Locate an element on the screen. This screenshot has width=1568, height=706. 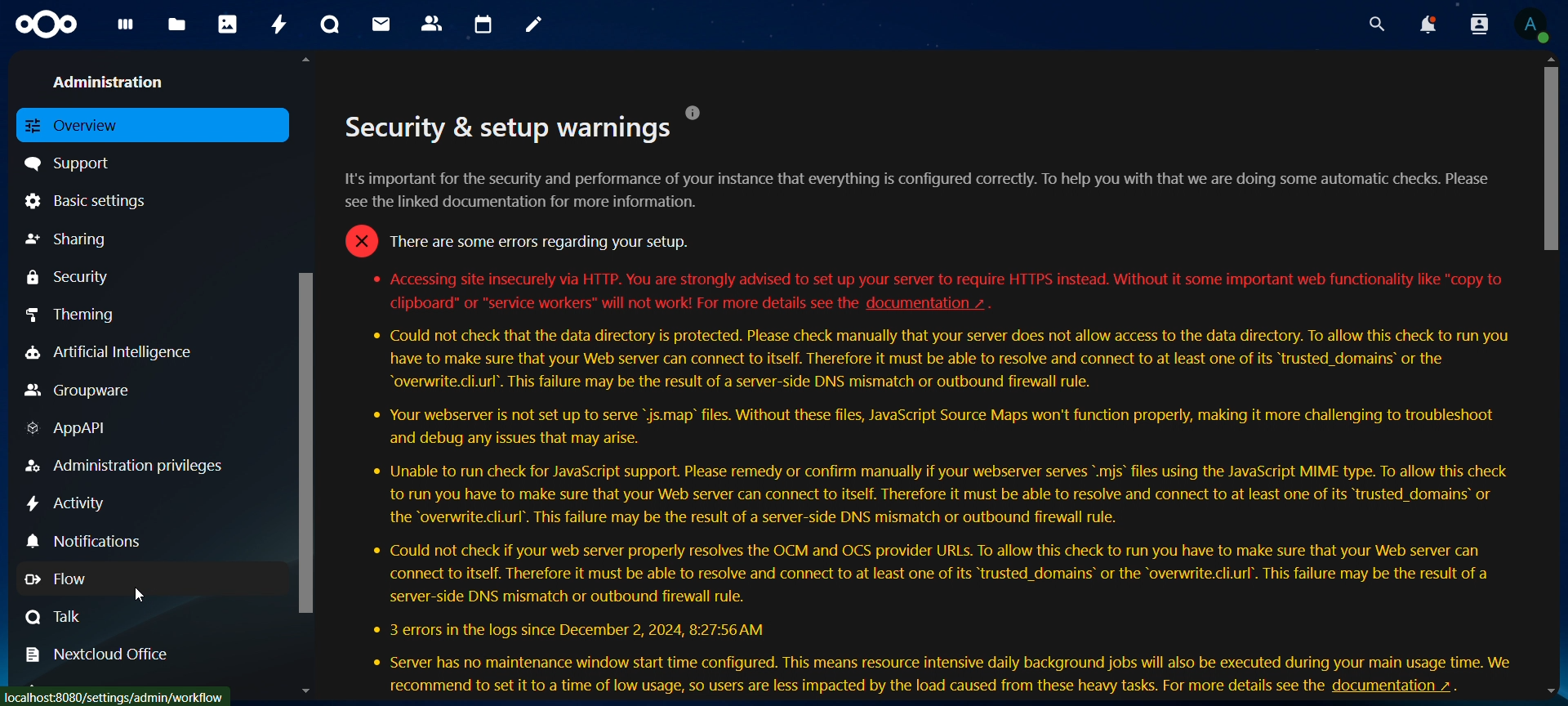
search contacts is located at coordinates (1483, 25).